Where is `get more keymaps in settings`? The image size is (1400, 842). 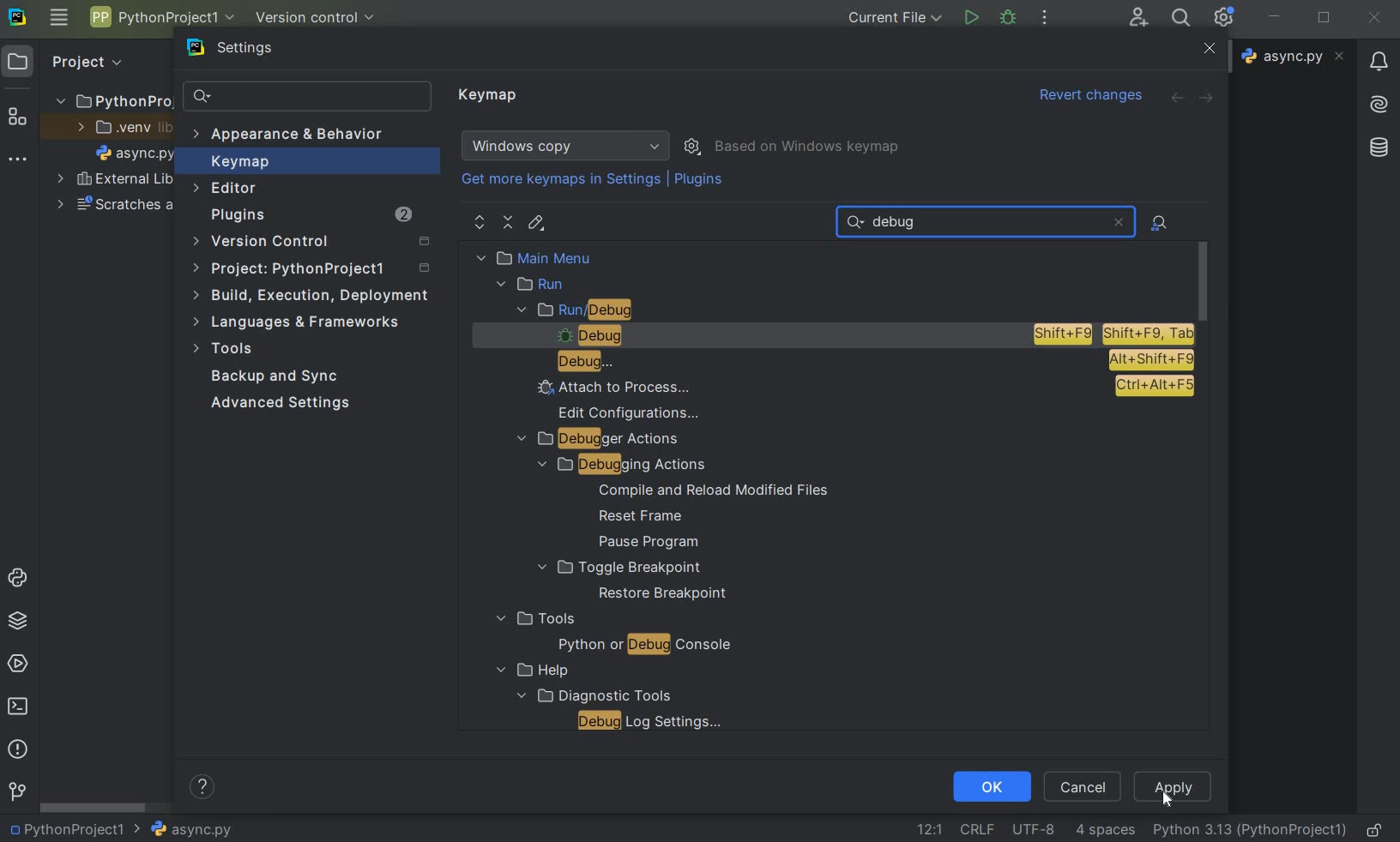 get more keymaps in settings is located at coordinates (563, 182).